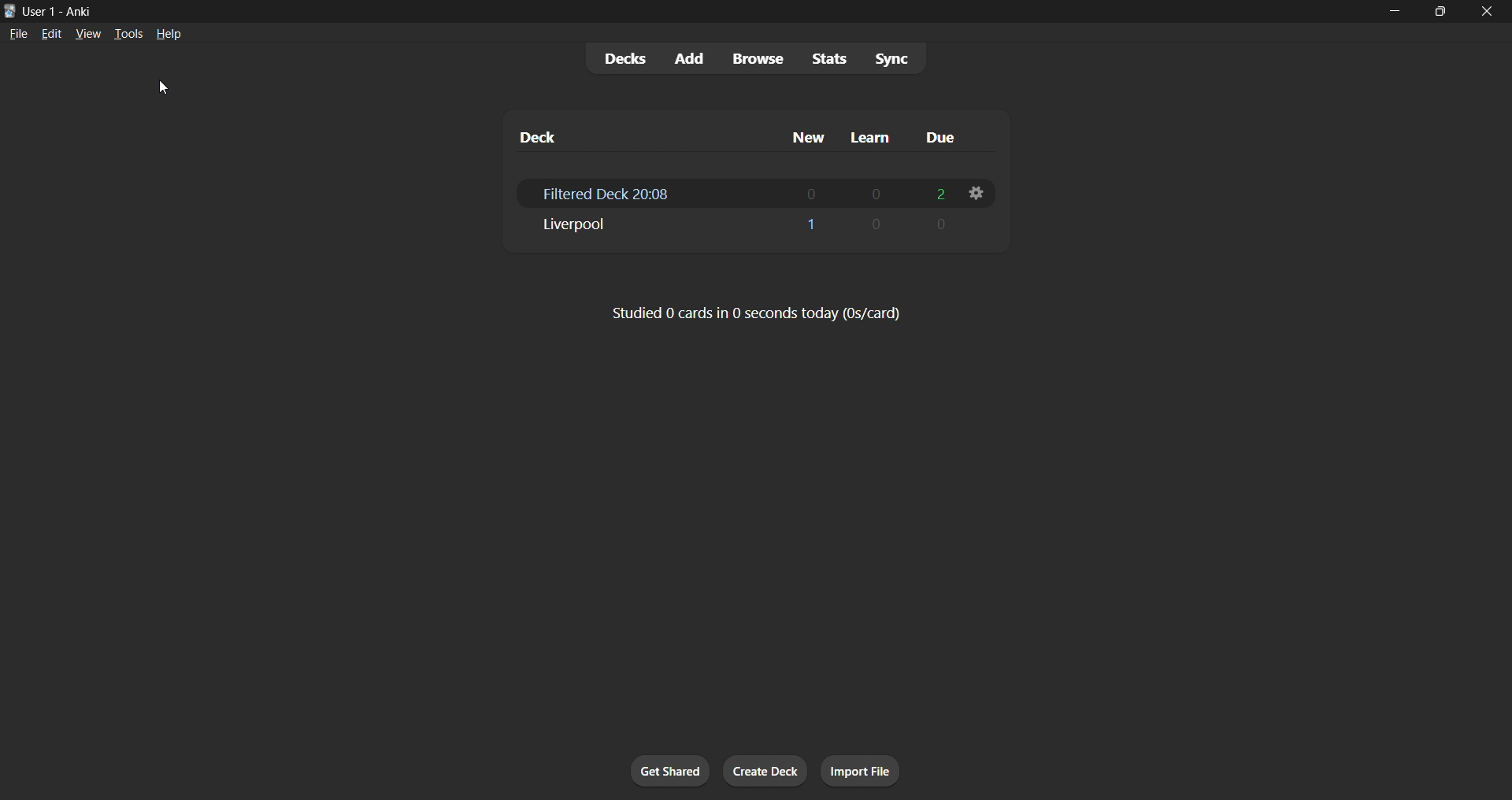 The height and width of the screenshot is (800, 1512). What do you see at coordinates (170, 35) in the screenshot?
I see `help` at bounding box center [170, 35].